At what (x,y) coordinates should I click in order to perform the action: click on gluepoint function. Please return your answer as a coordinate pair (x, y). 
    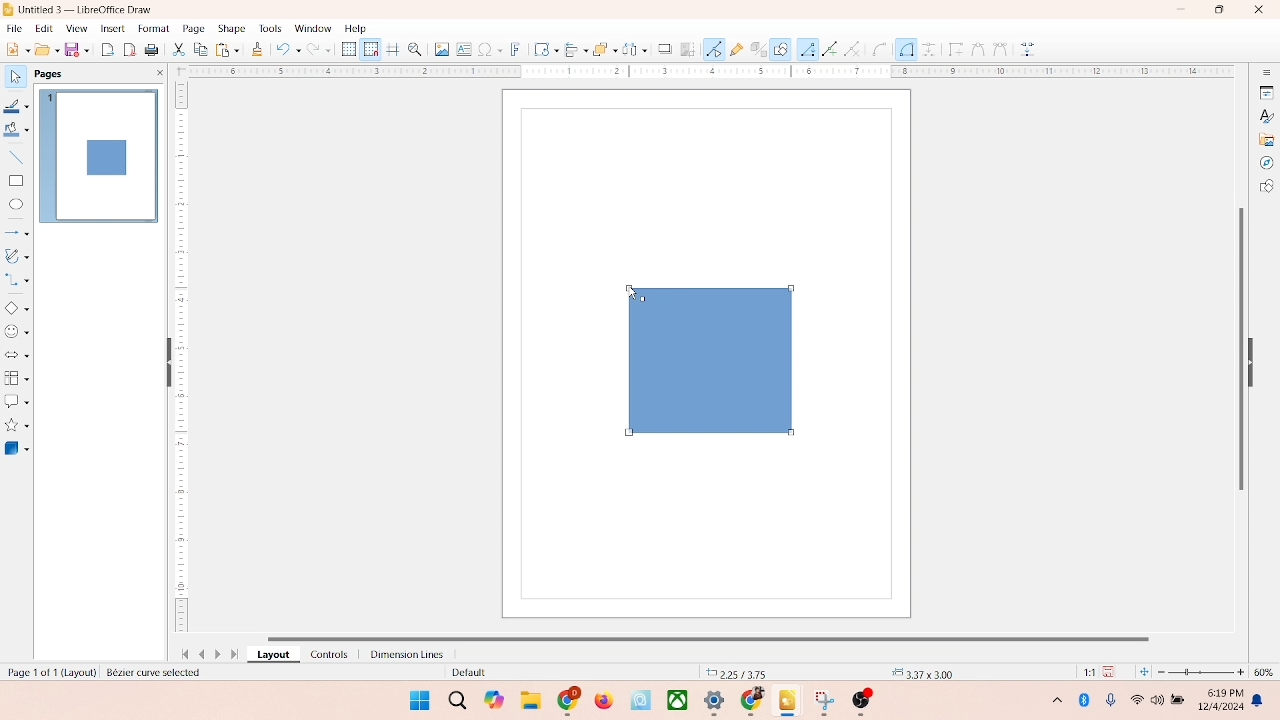
    Looking at the image, I should click on (735, 50).